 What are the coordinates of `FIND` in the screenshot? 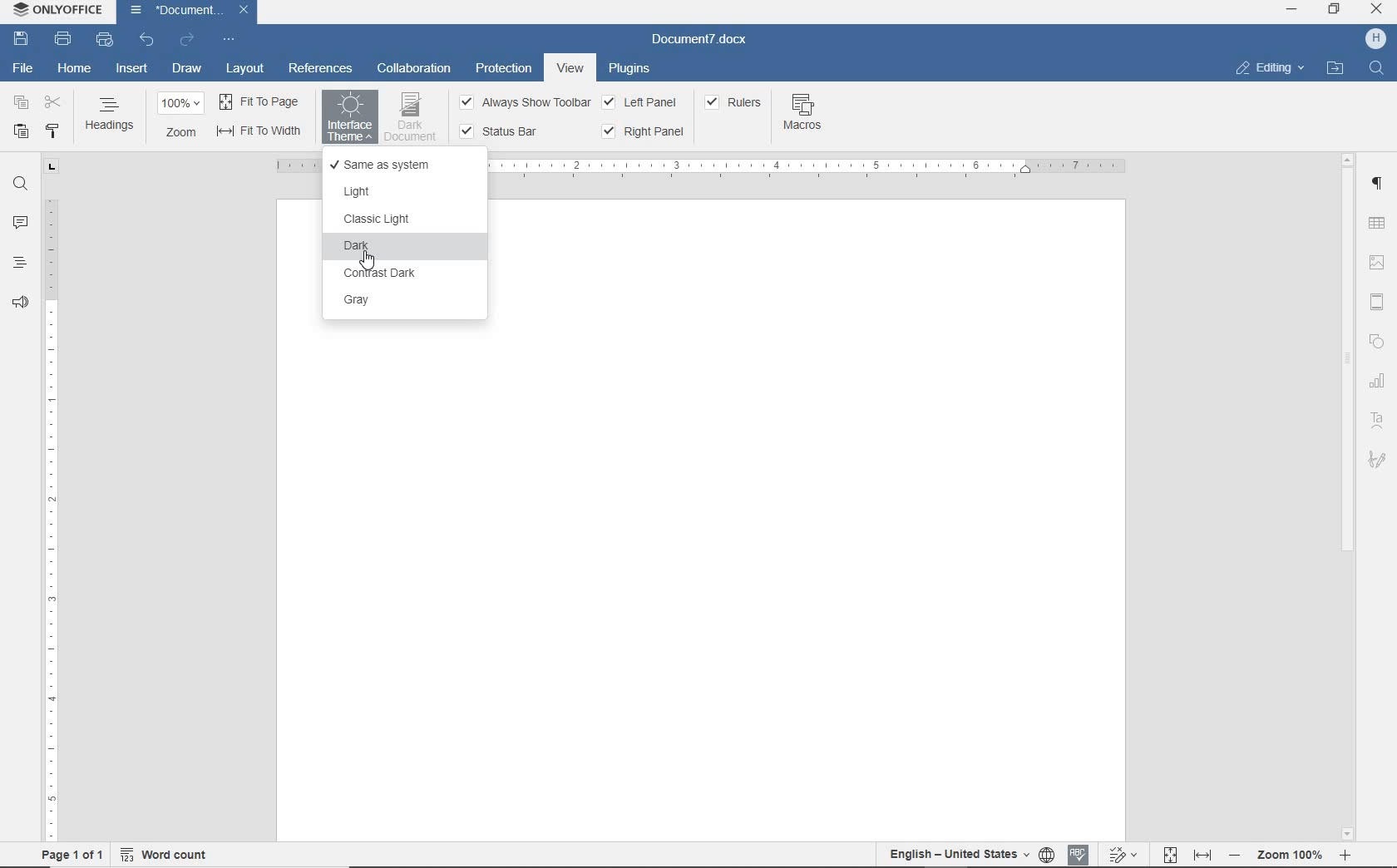 It's located at (21, 186).